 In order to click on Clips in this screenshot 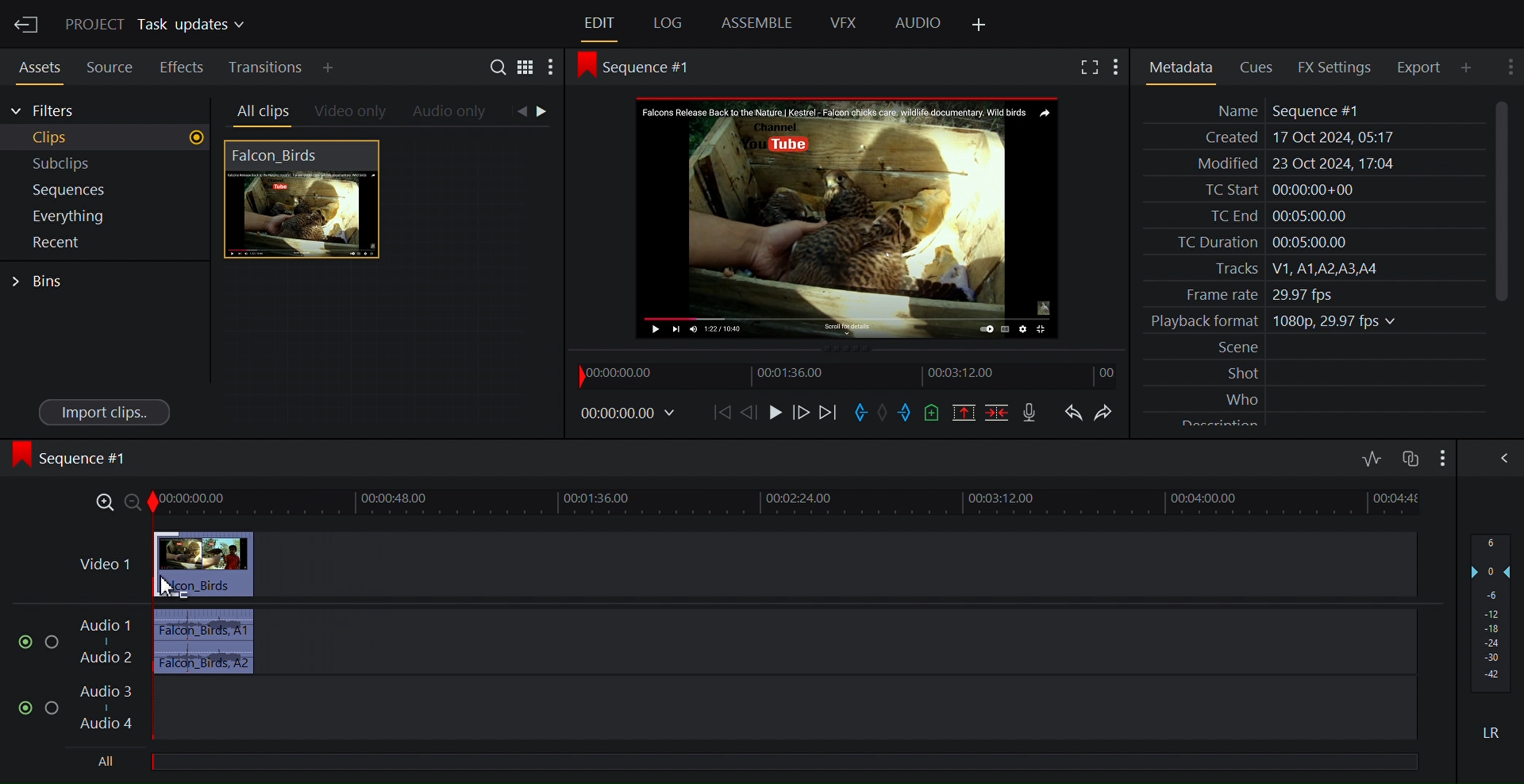, I will do `click(106, 138)`.